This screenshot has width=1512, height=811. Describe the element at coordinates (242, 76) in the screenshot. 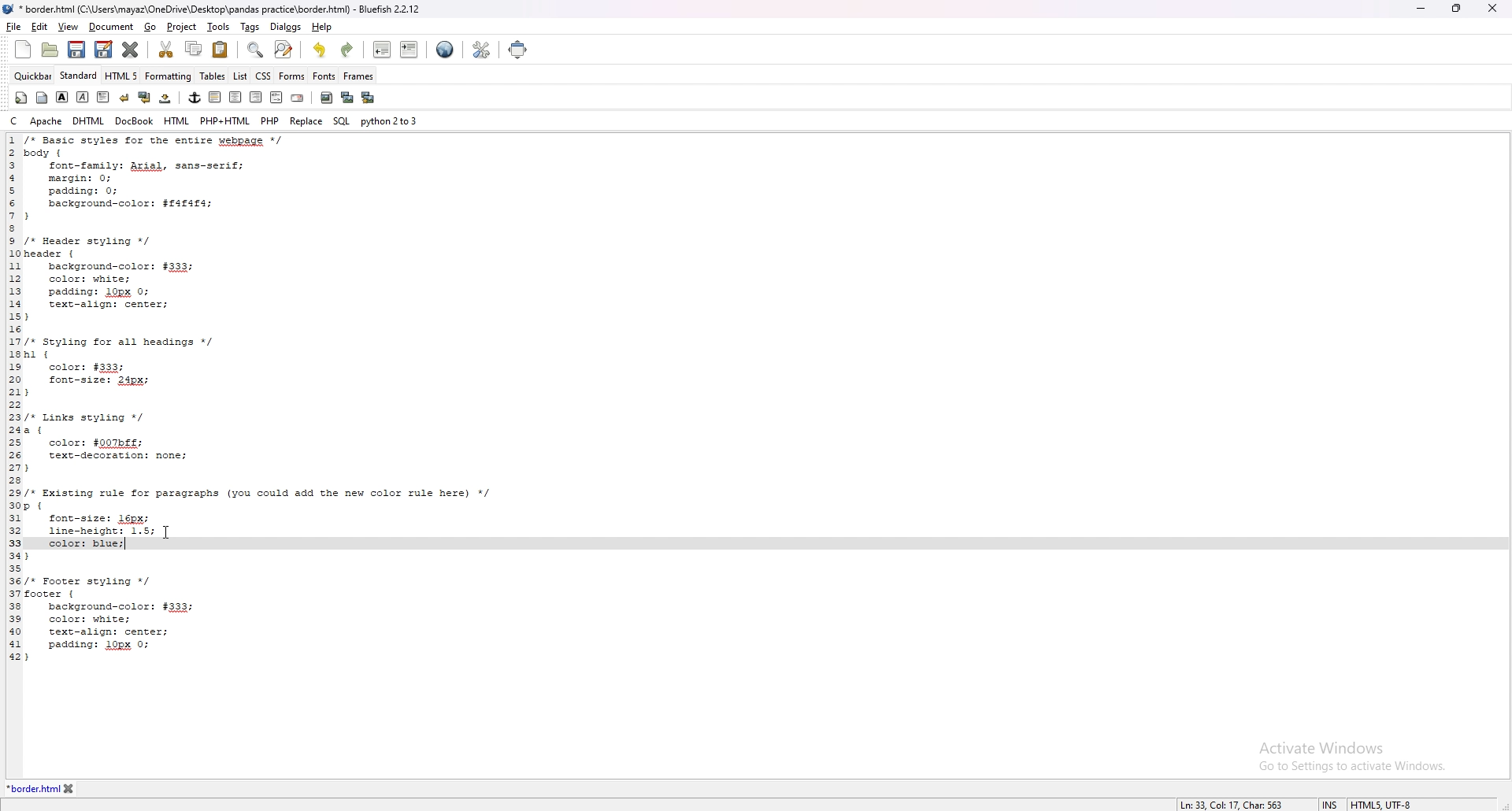

I see `list` at that location.